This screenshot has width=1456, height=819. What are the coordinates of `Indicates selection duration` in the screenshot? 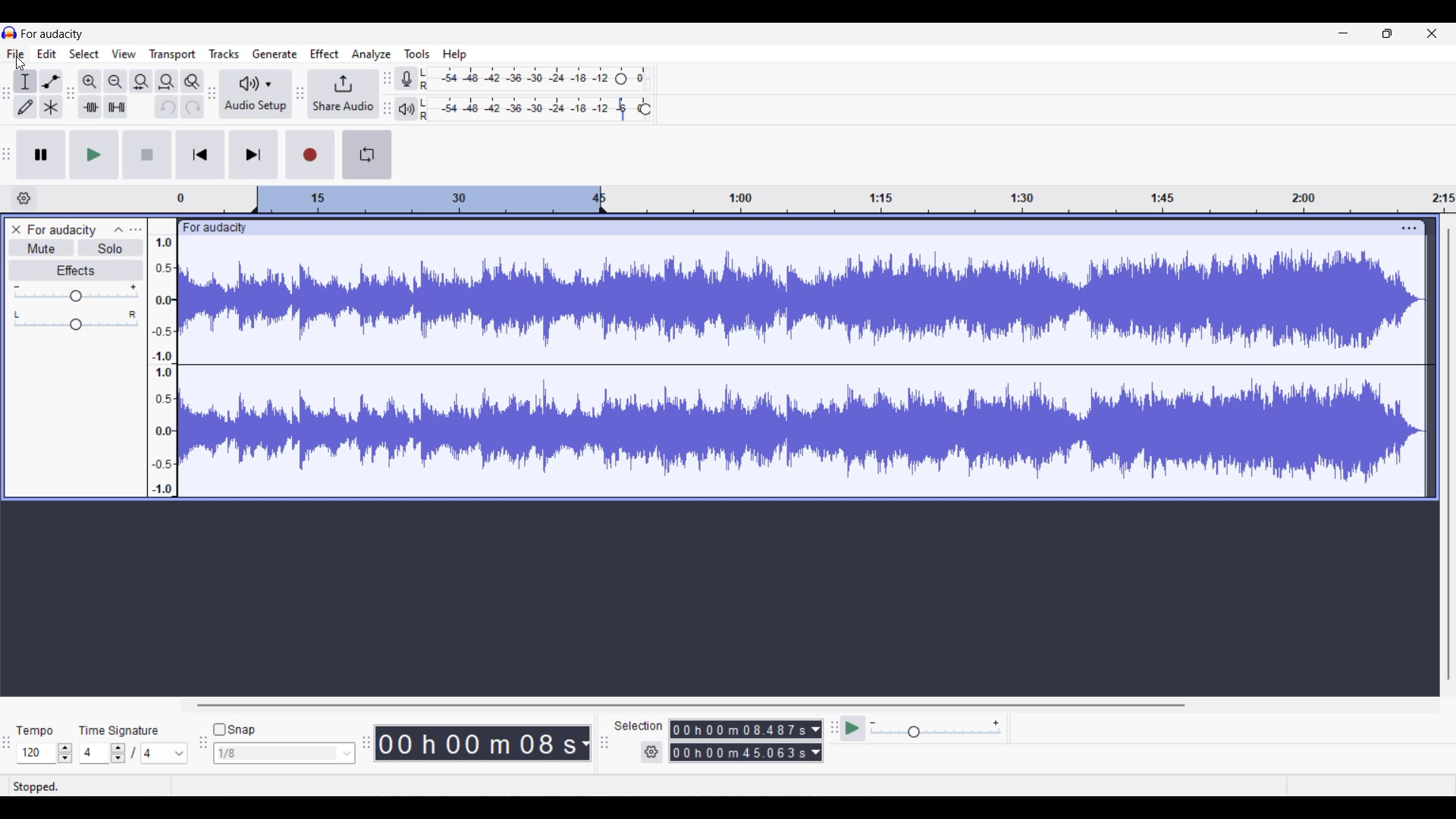 It's located at (639, 726).